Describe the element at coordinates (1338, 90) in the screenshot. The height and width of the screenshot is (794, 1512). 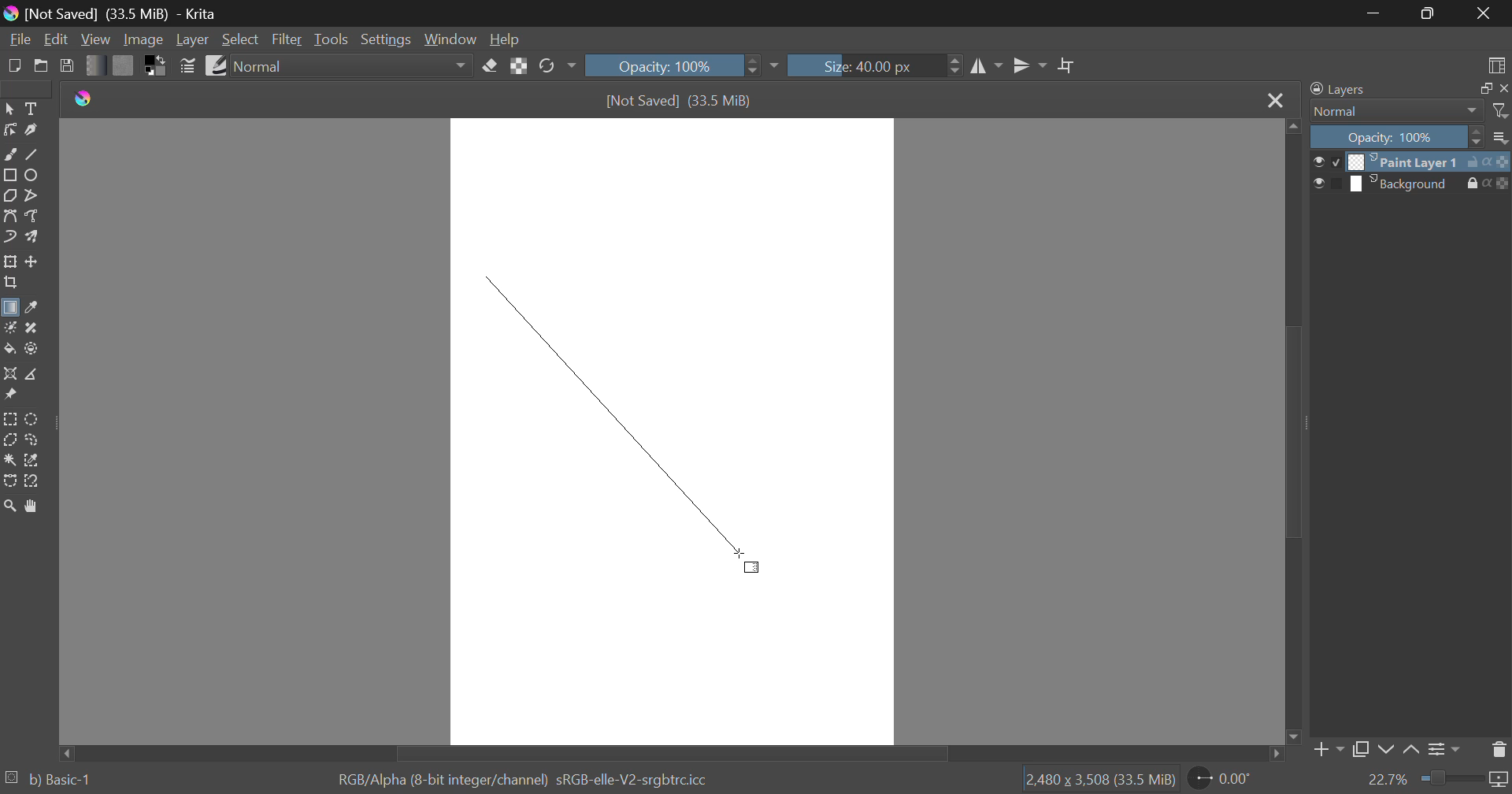
I see `Layers` at that location.